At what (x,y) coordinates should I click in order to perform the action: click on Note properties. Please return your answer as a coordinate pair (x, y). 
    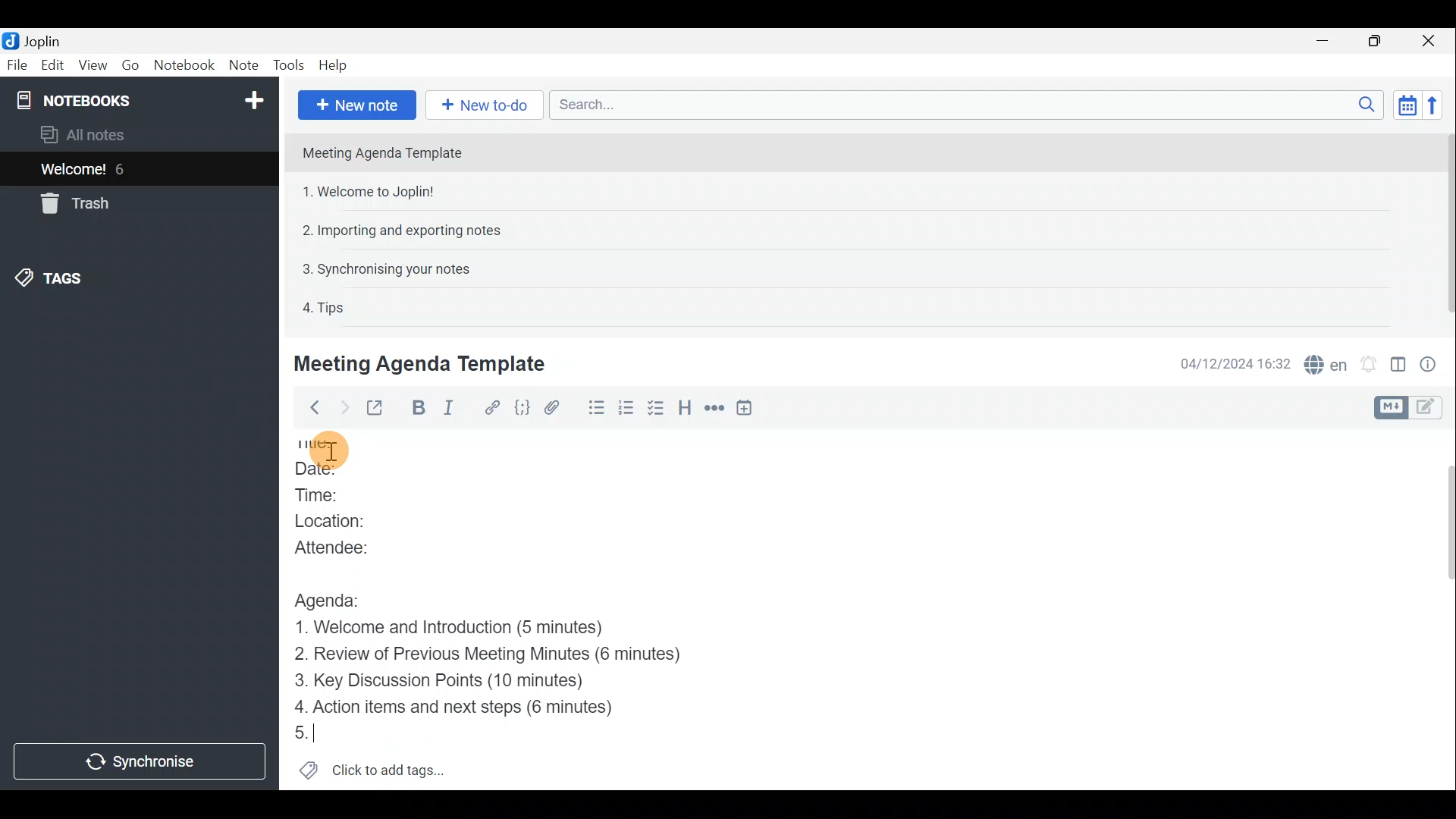
    Looking at the image, I should click on (1433, 363).